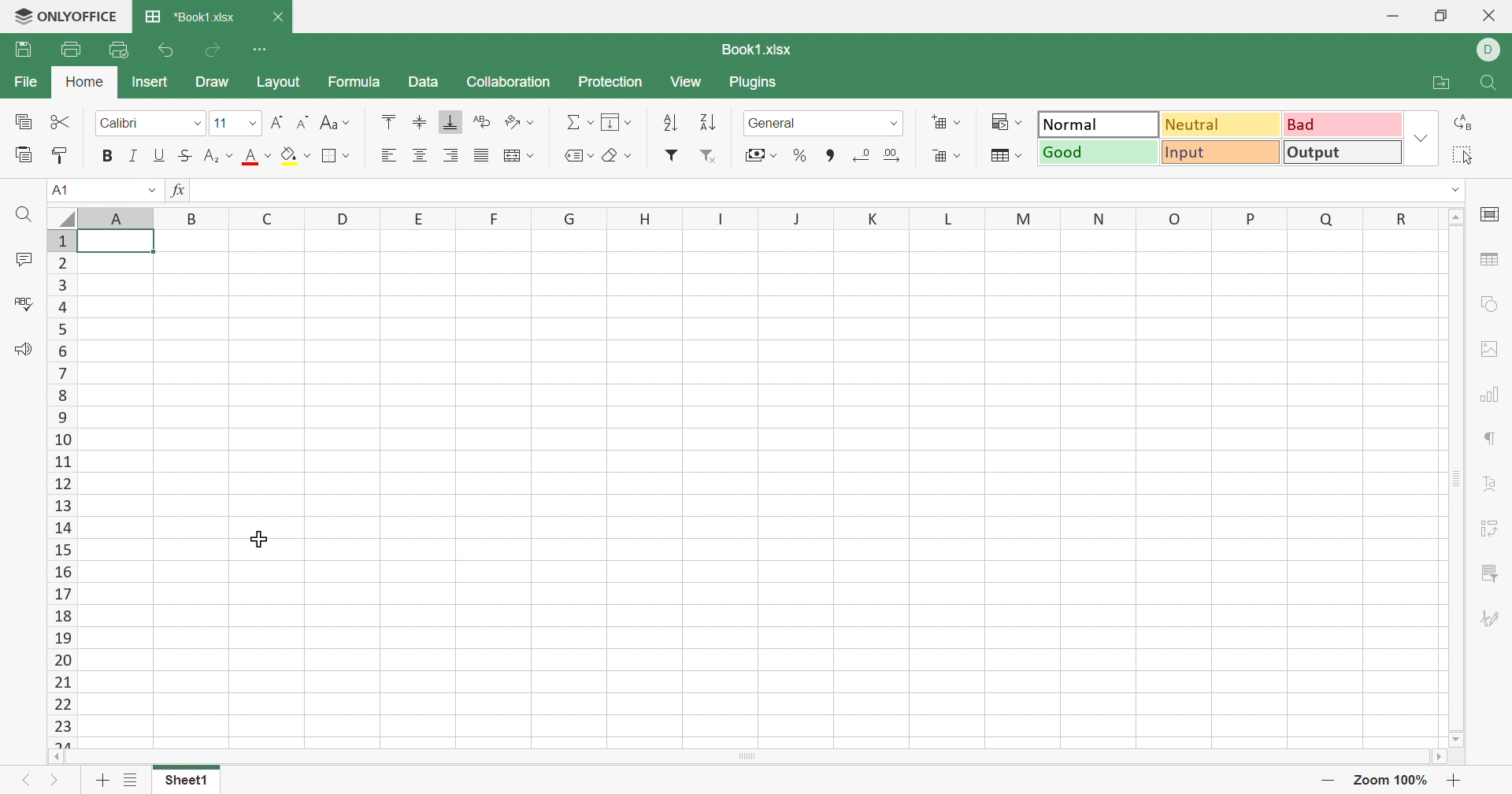  Describe the element at coordinates (754, 83) in the screenshot. I see `Plugins` at that location.